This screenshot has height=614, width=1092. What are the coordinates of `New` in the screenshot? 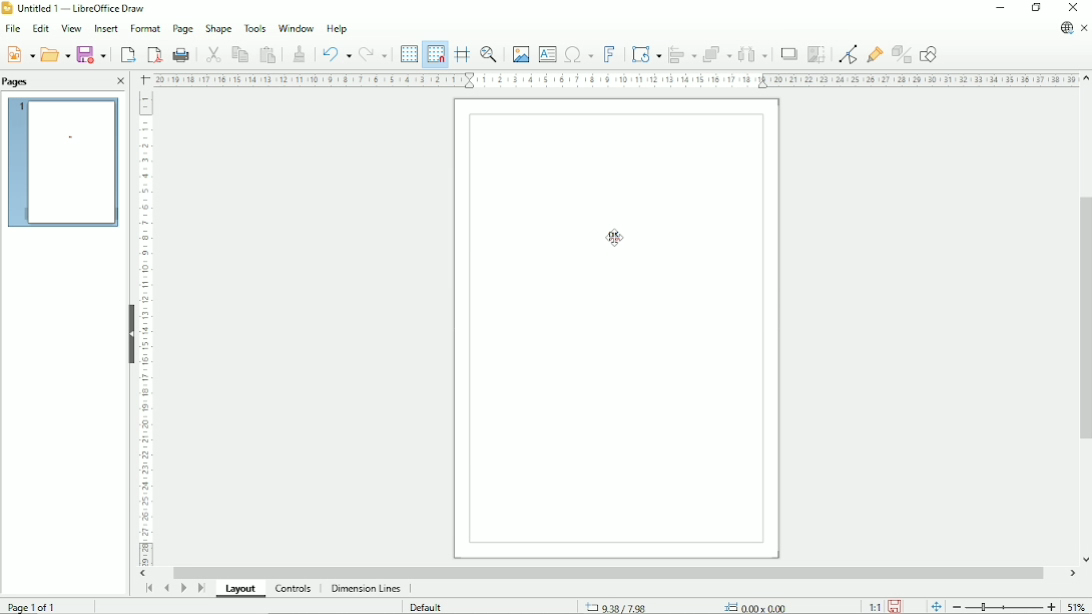 It's located at (20, 55).